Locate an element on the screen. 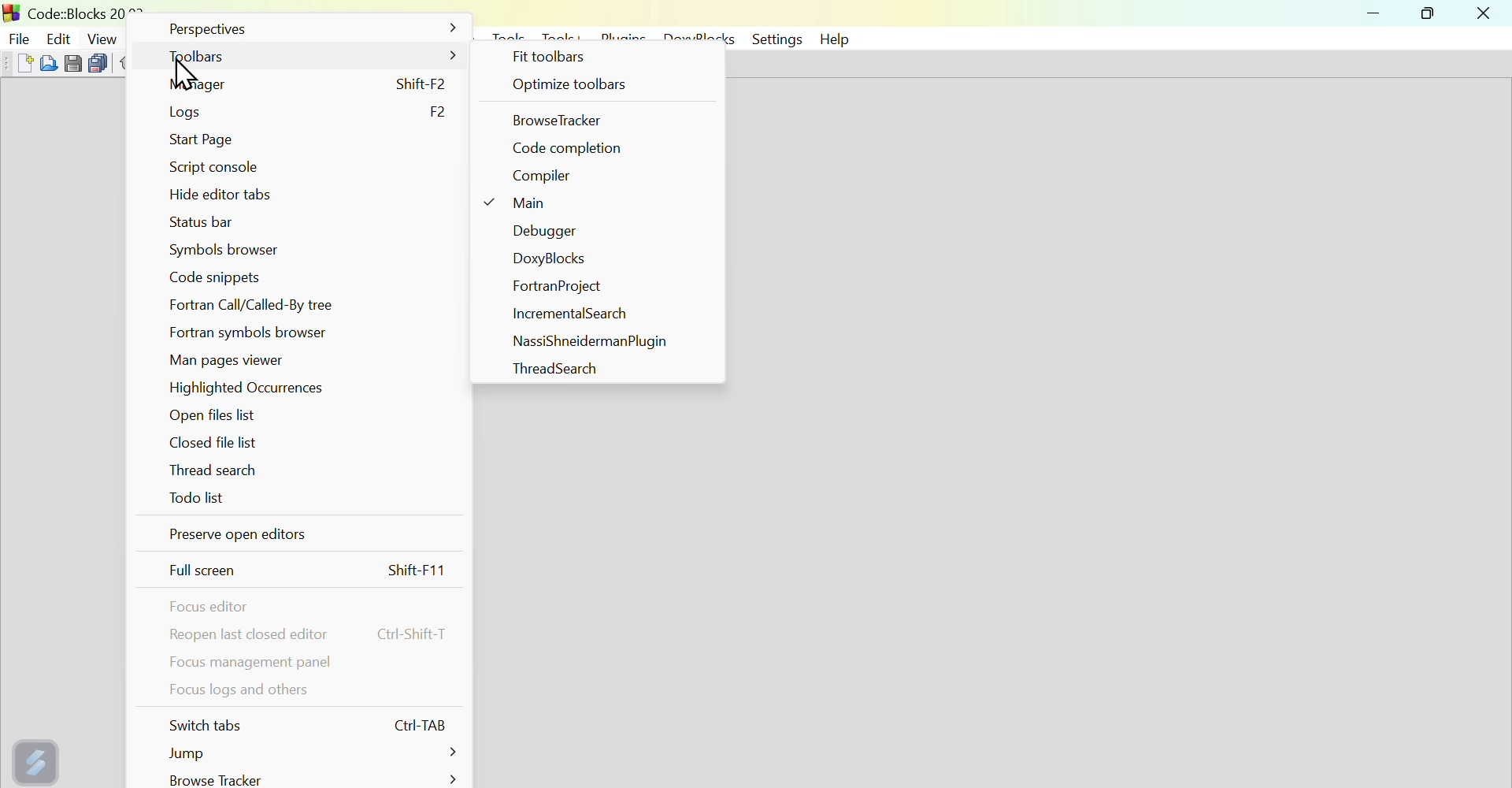 Image resolution: width=1512 pixels, height=788 pixels. View is located at coordinates (103, 36).